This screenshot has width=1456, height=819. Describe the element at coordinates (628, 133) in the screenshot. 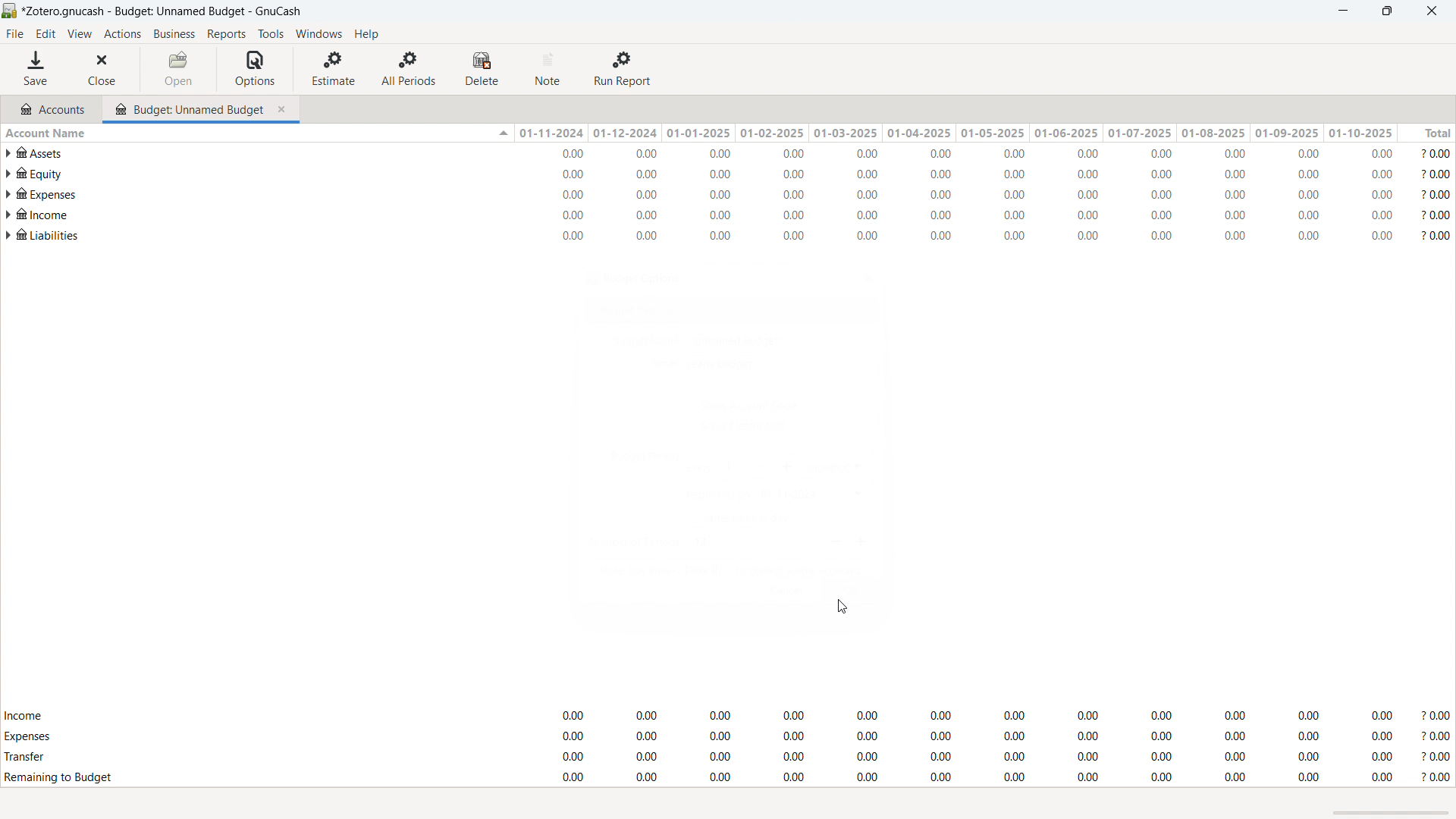

I see `01-12-2024` at that location.